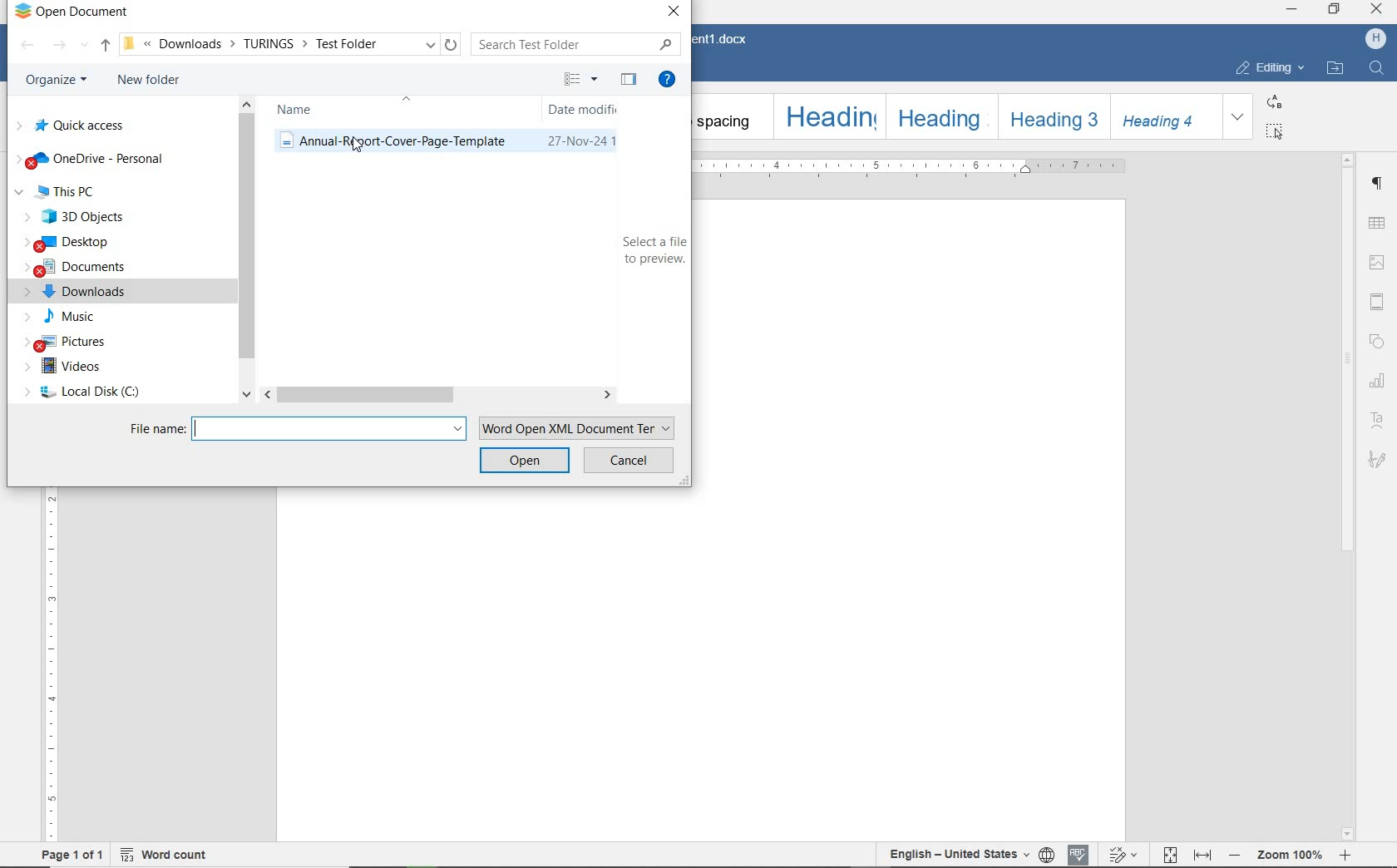  I want to click on music, so click(72, 318).